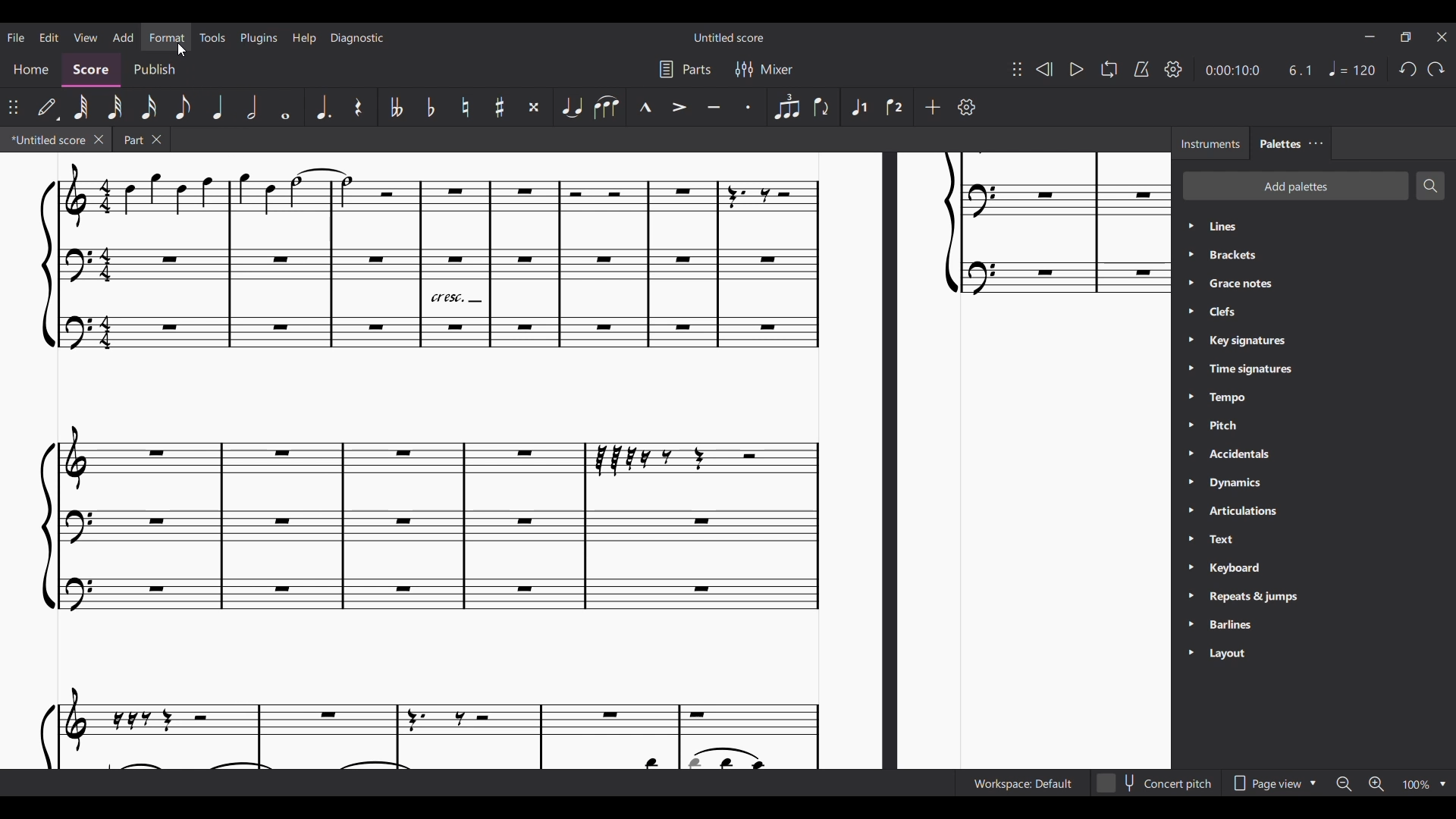  I want to click on Toggle flat, so click(430, 106).